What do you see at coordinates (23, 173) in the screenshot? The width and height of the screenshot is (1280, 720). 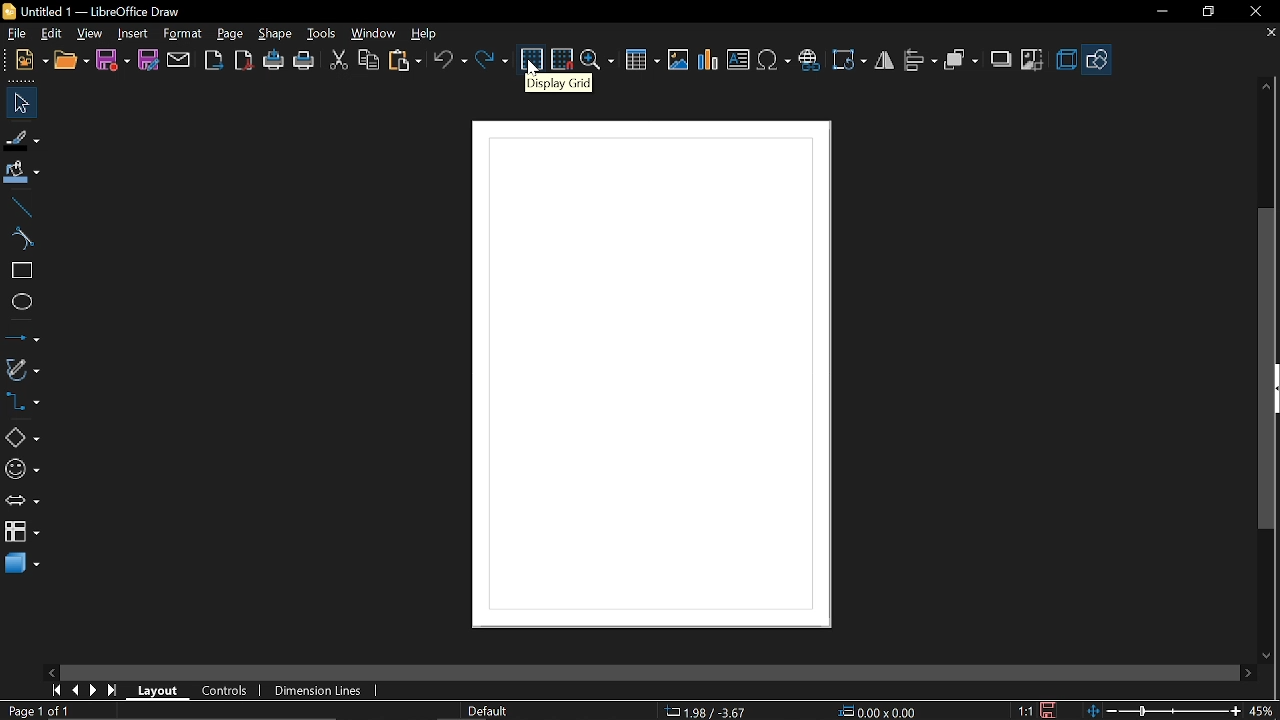 I see `fill color` at bounding box center [23, 173].